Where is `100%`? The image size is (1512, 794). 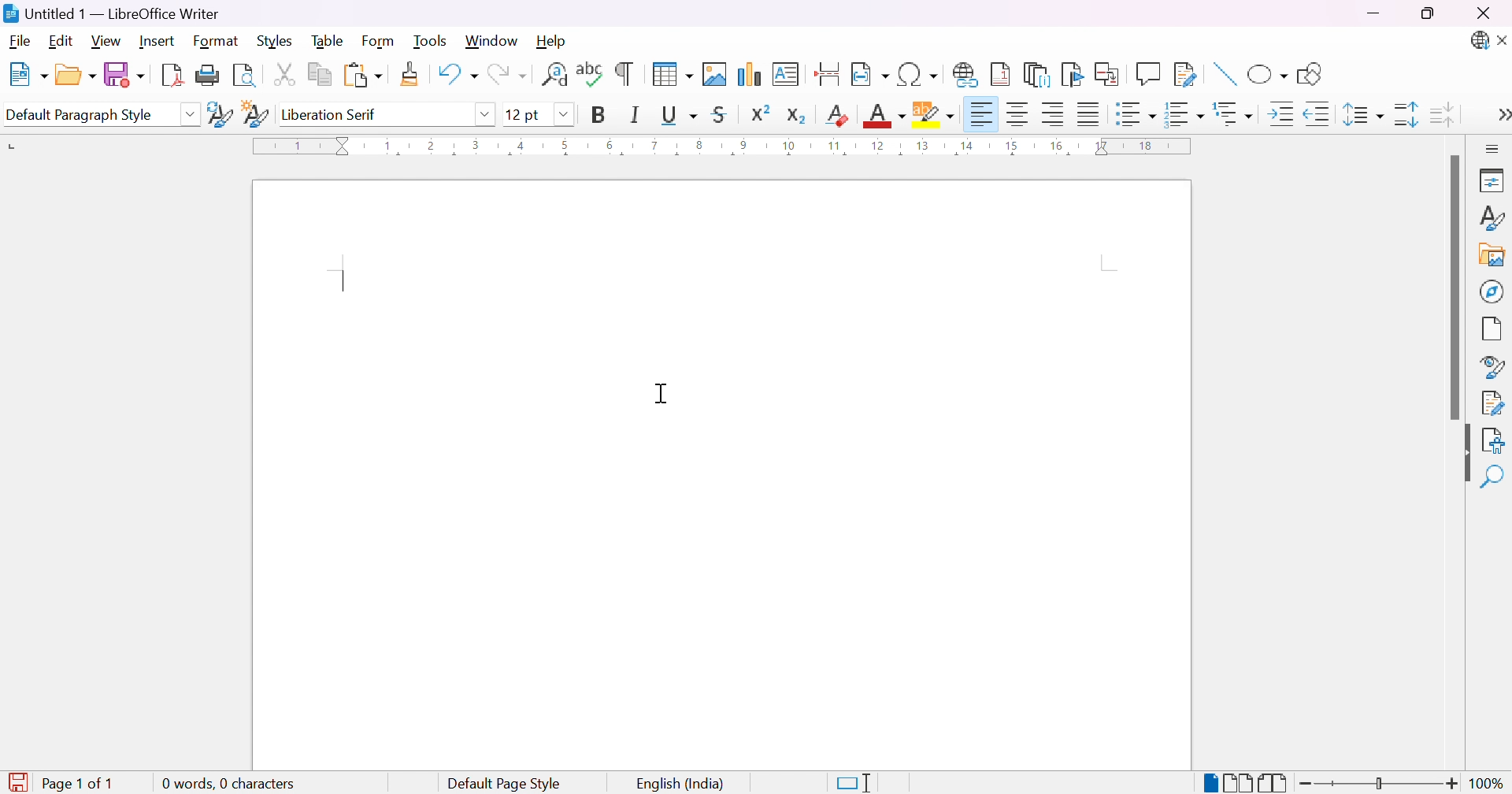
100% is located at coordinates (1488, 784).